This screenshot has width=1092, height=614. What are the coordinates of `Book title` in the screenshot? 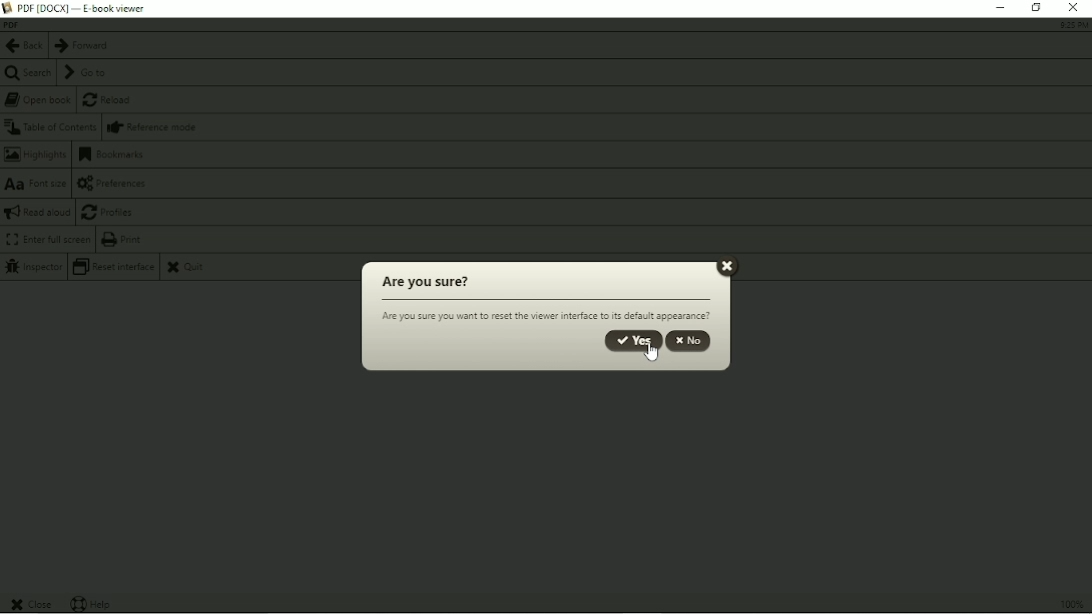 It's located at (12, 25).